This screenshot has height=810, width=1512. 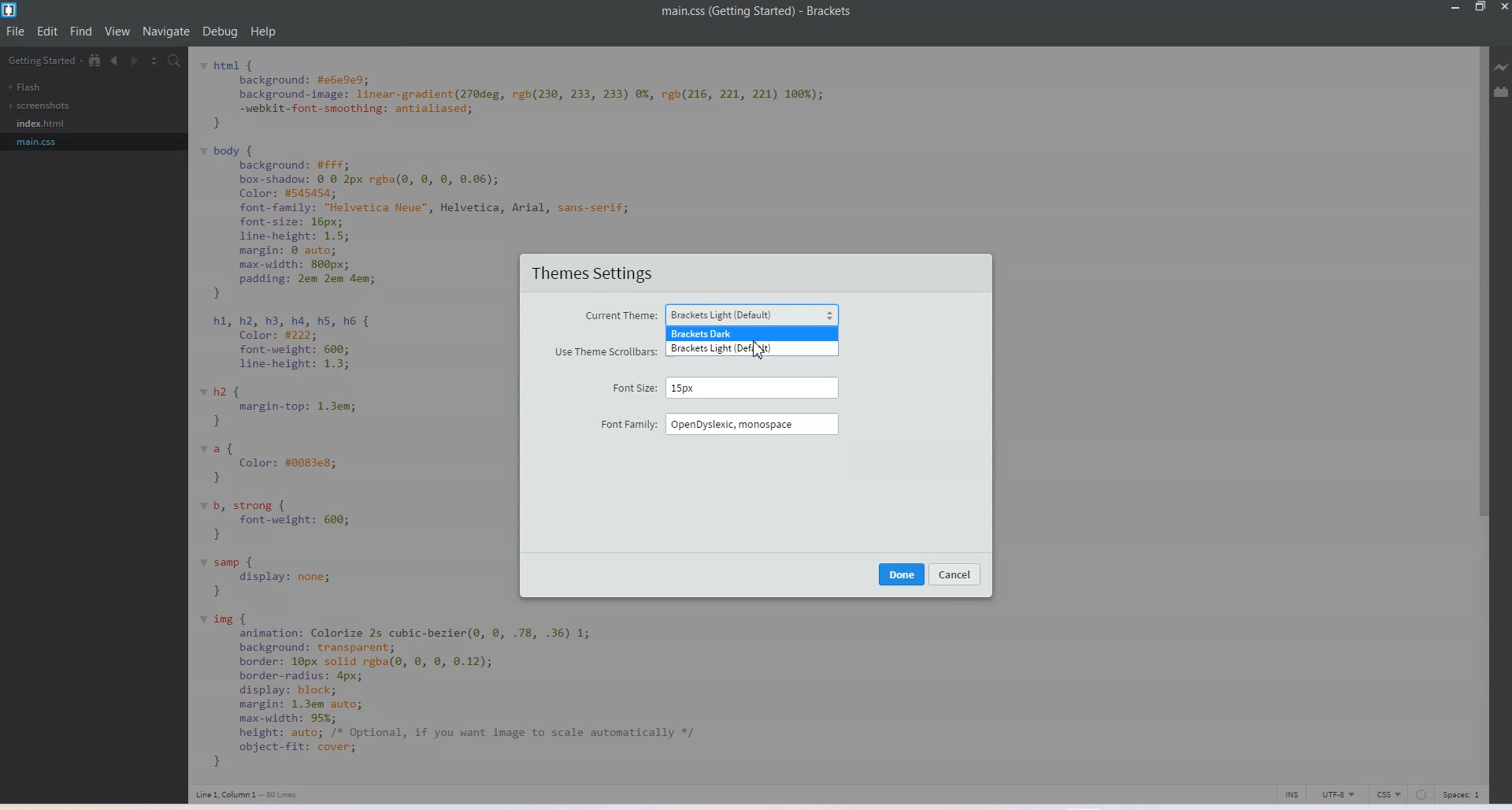 I want to click on Use Theme Scrollbar, so click(x=606, y=351).